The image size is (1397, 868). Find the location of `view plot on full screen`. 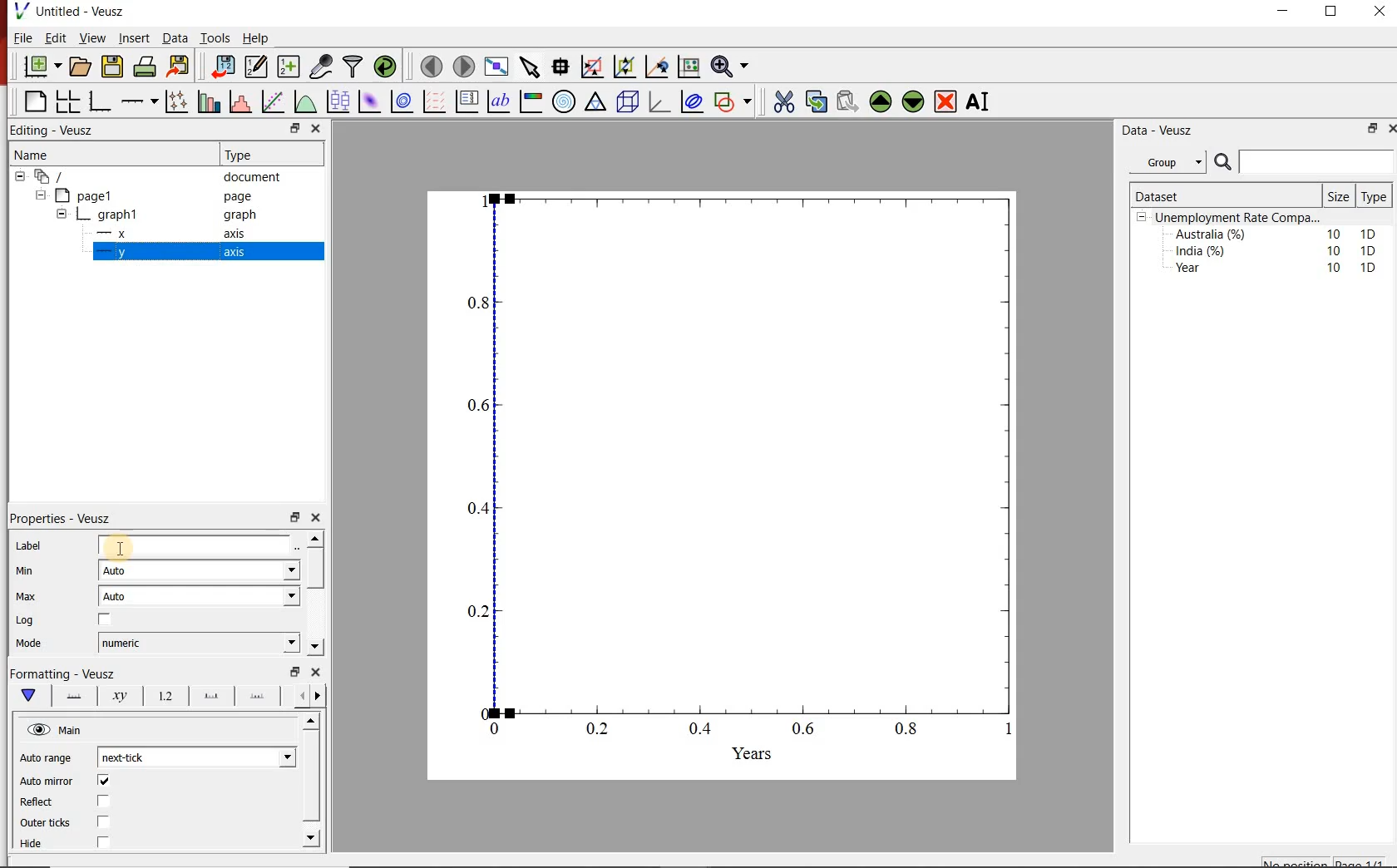

view plot on full screen is located at coordinates (498, 66).